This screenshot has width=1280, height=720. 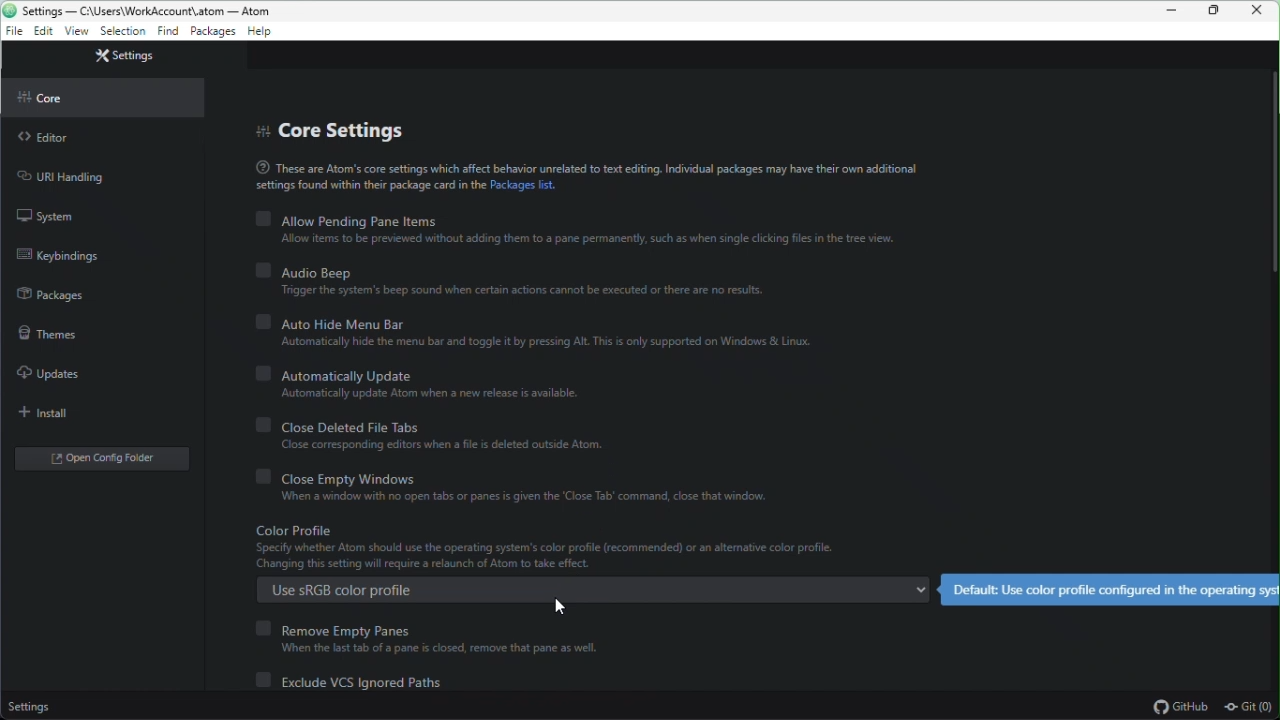 What do you see at coordinates (54, 413) in the screenshot?
I see `Install` at bounding box center [54, 413].